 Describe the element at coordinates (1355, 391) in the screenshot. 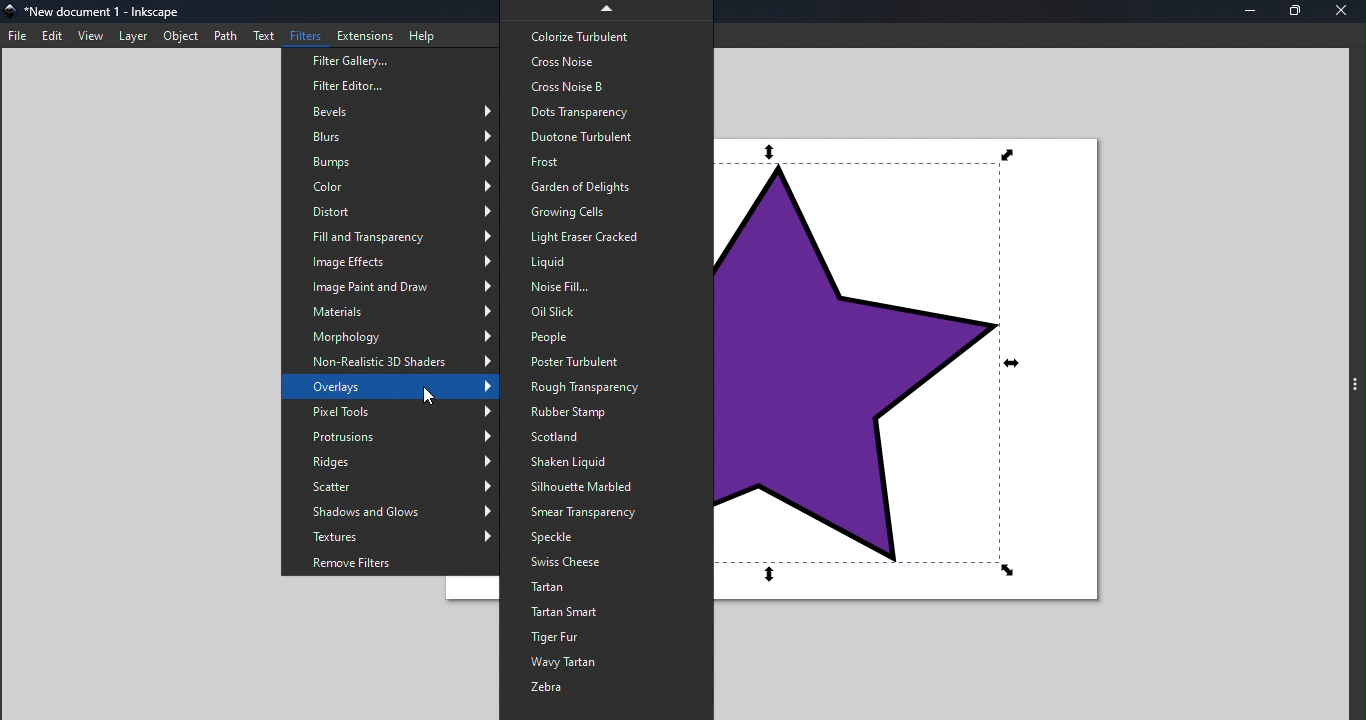

I see `Command panel` at that location.